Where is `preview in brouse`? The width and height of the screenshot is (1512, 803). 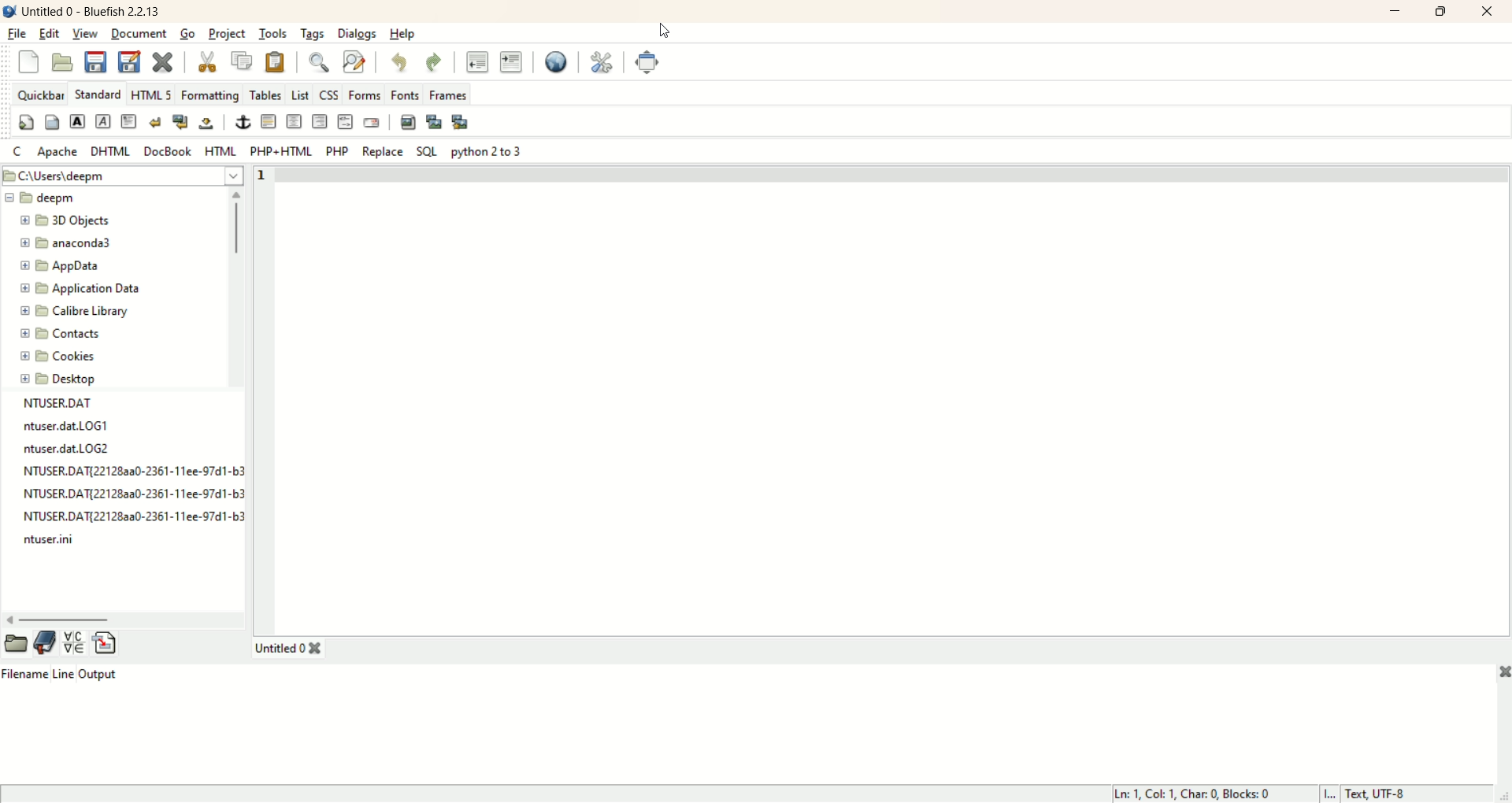 preview in brouse is located at coordinates (561, 61).